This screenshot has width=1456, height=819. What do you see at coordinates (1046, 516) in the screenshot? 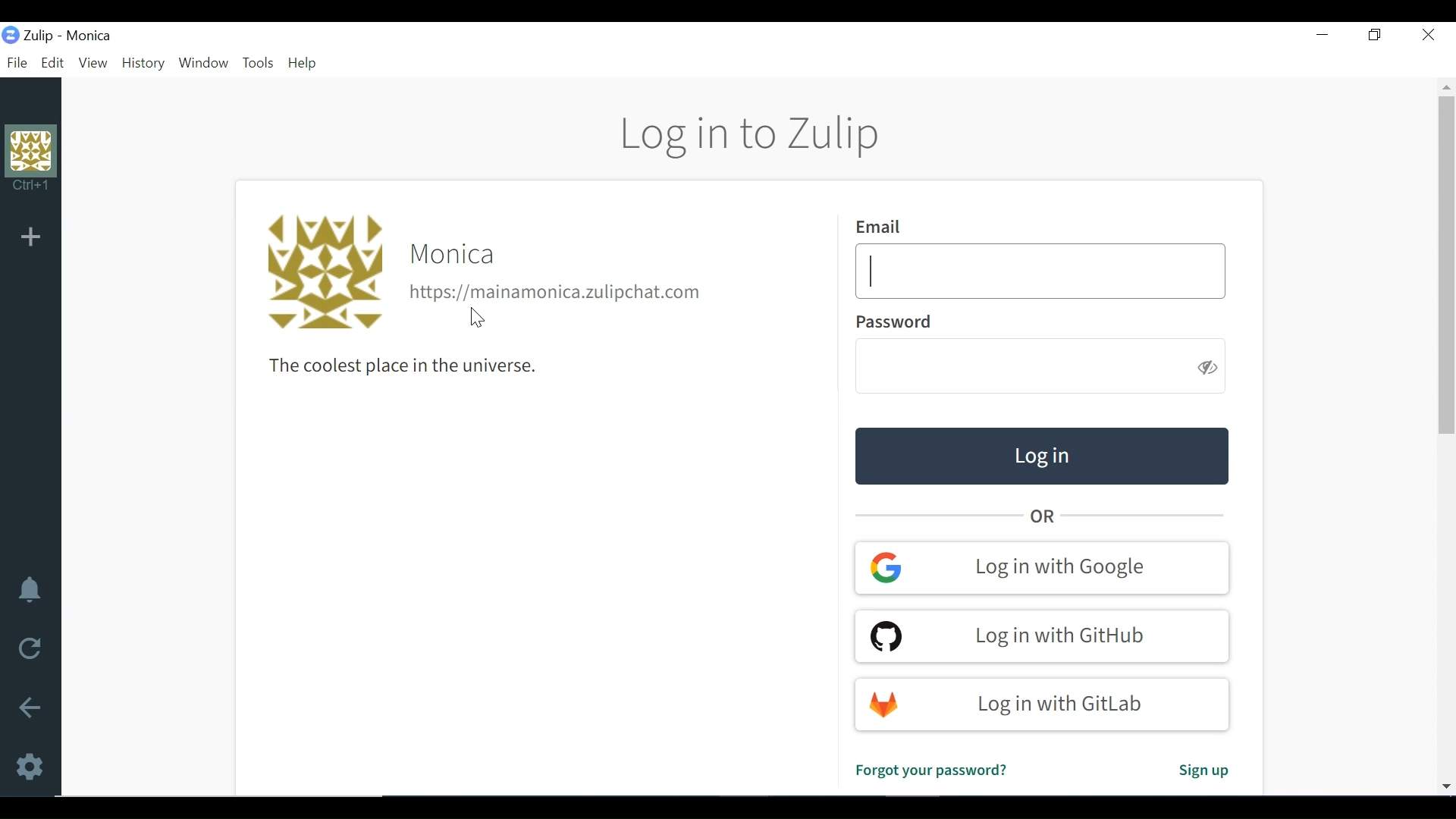
I see `OR` at bounding box center [1046, 516].